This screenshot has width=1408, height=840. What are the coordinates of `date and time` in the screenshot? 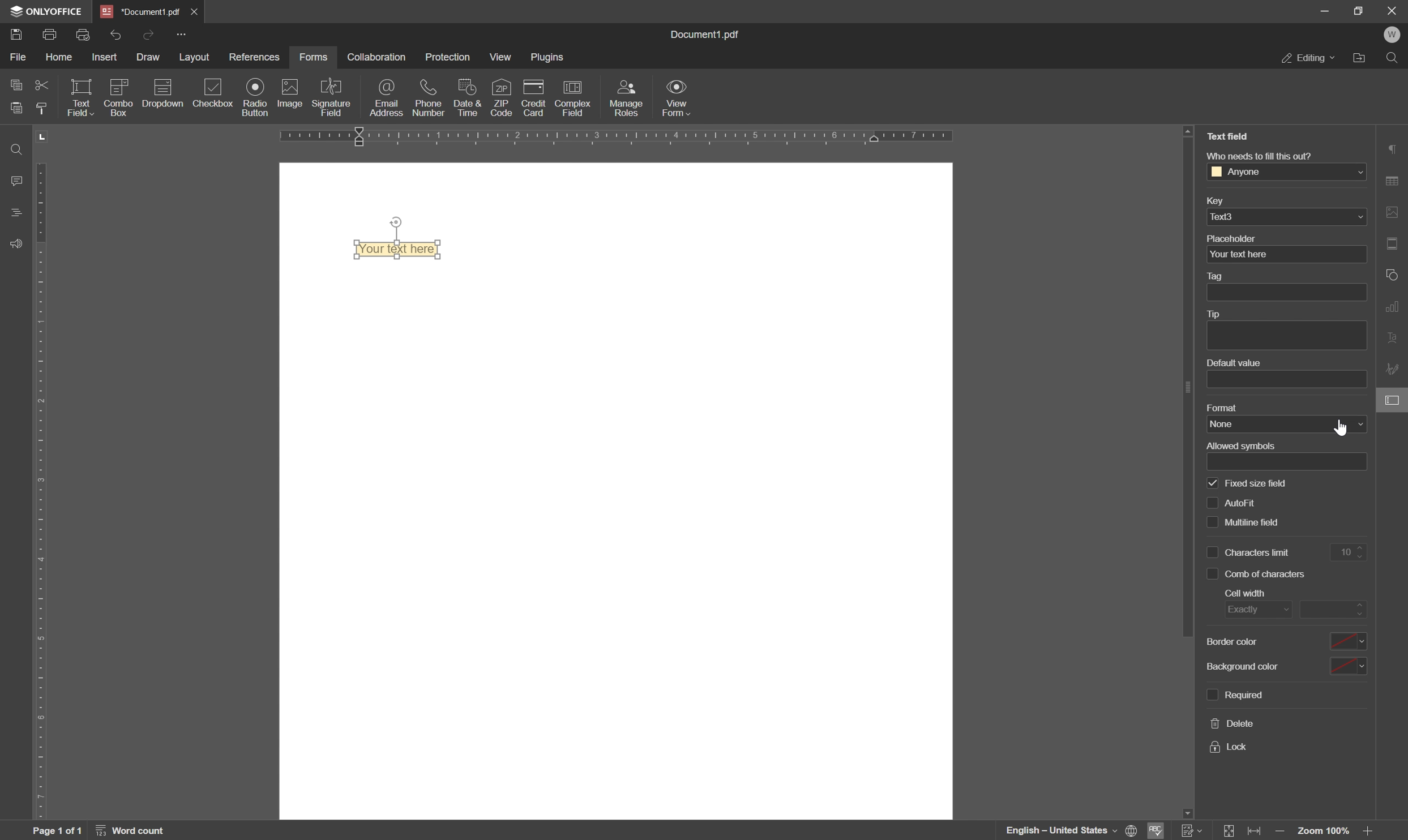 It's located at (467, 98).